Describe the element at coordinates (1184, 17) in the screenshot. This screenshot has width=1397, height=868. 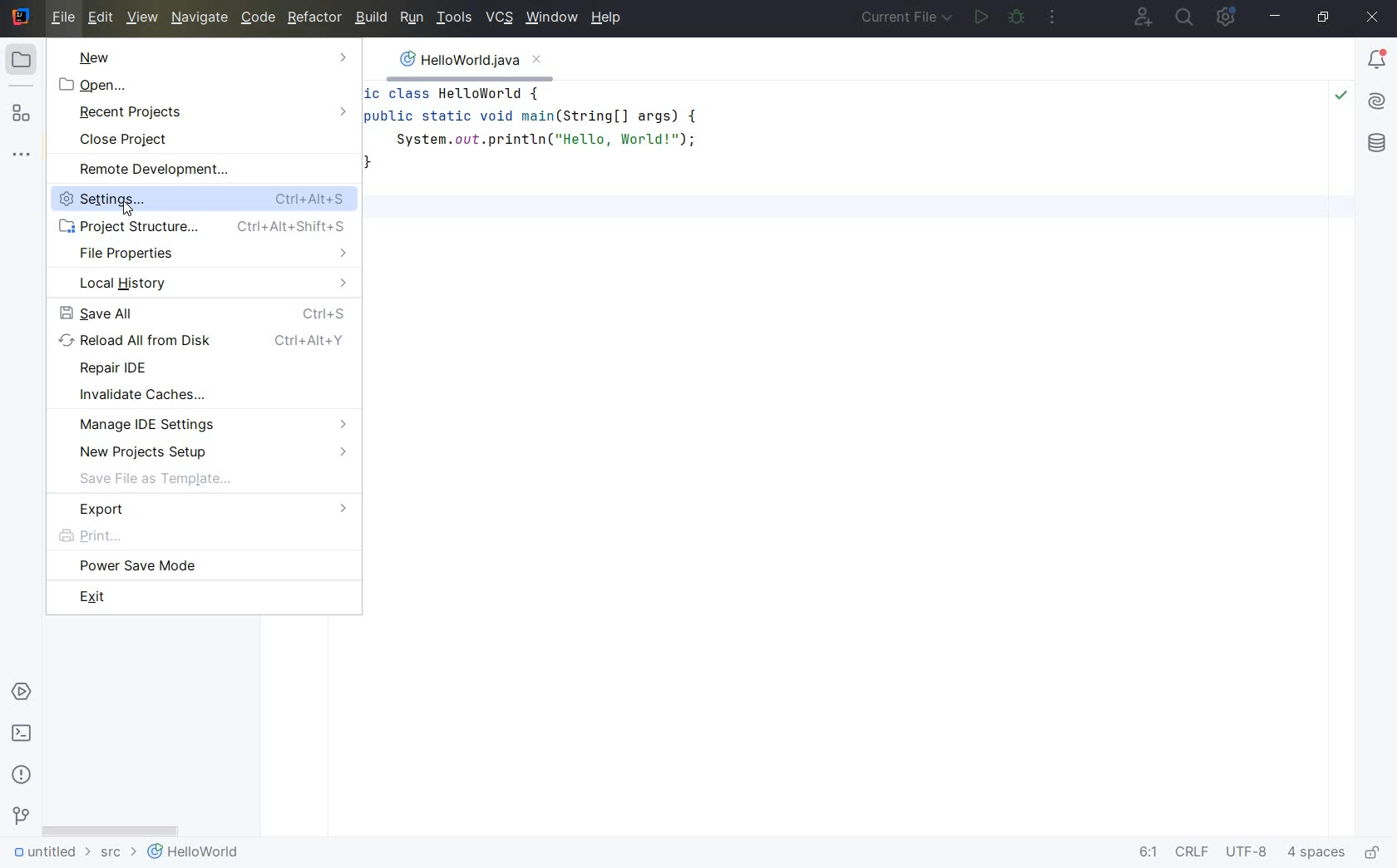
I see `search everywhere` at that location.